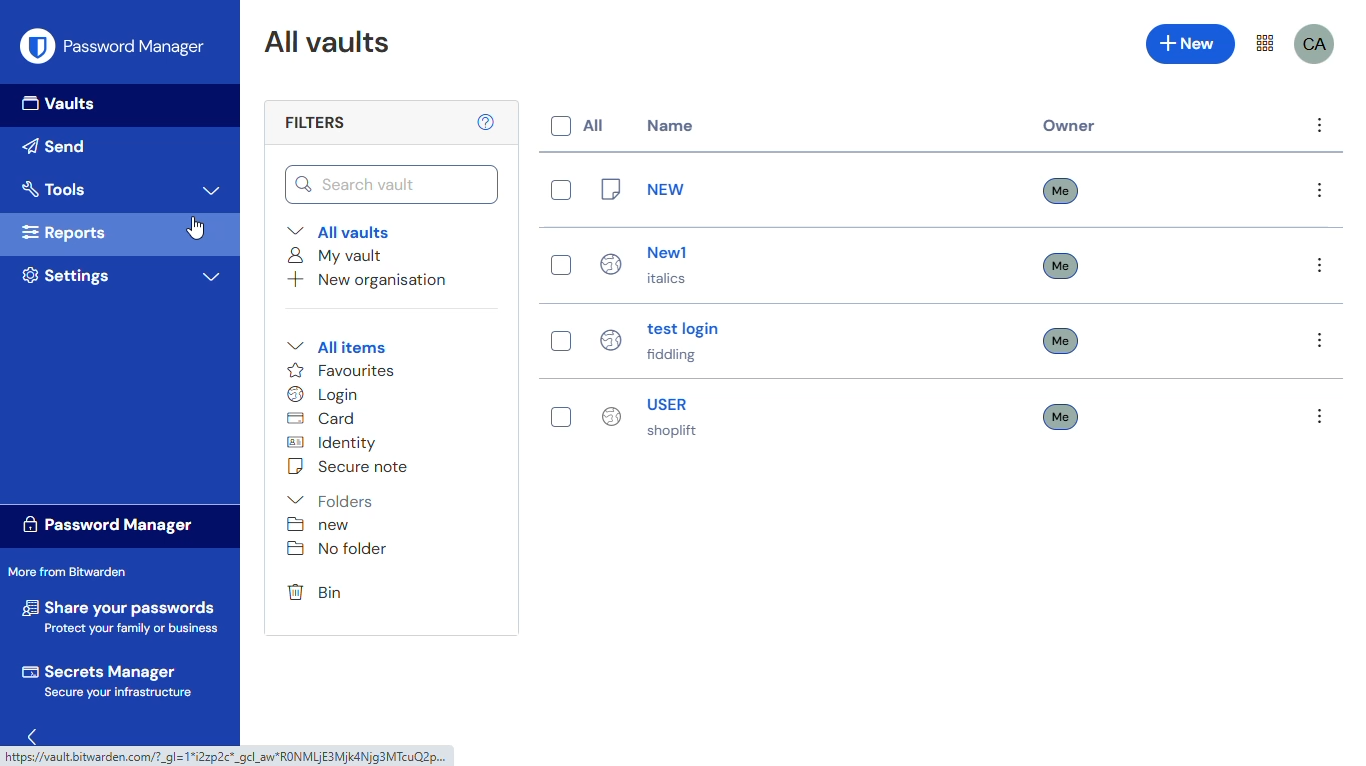 The image size is (1366, 766). I want to click on options, so click(1319, 265).